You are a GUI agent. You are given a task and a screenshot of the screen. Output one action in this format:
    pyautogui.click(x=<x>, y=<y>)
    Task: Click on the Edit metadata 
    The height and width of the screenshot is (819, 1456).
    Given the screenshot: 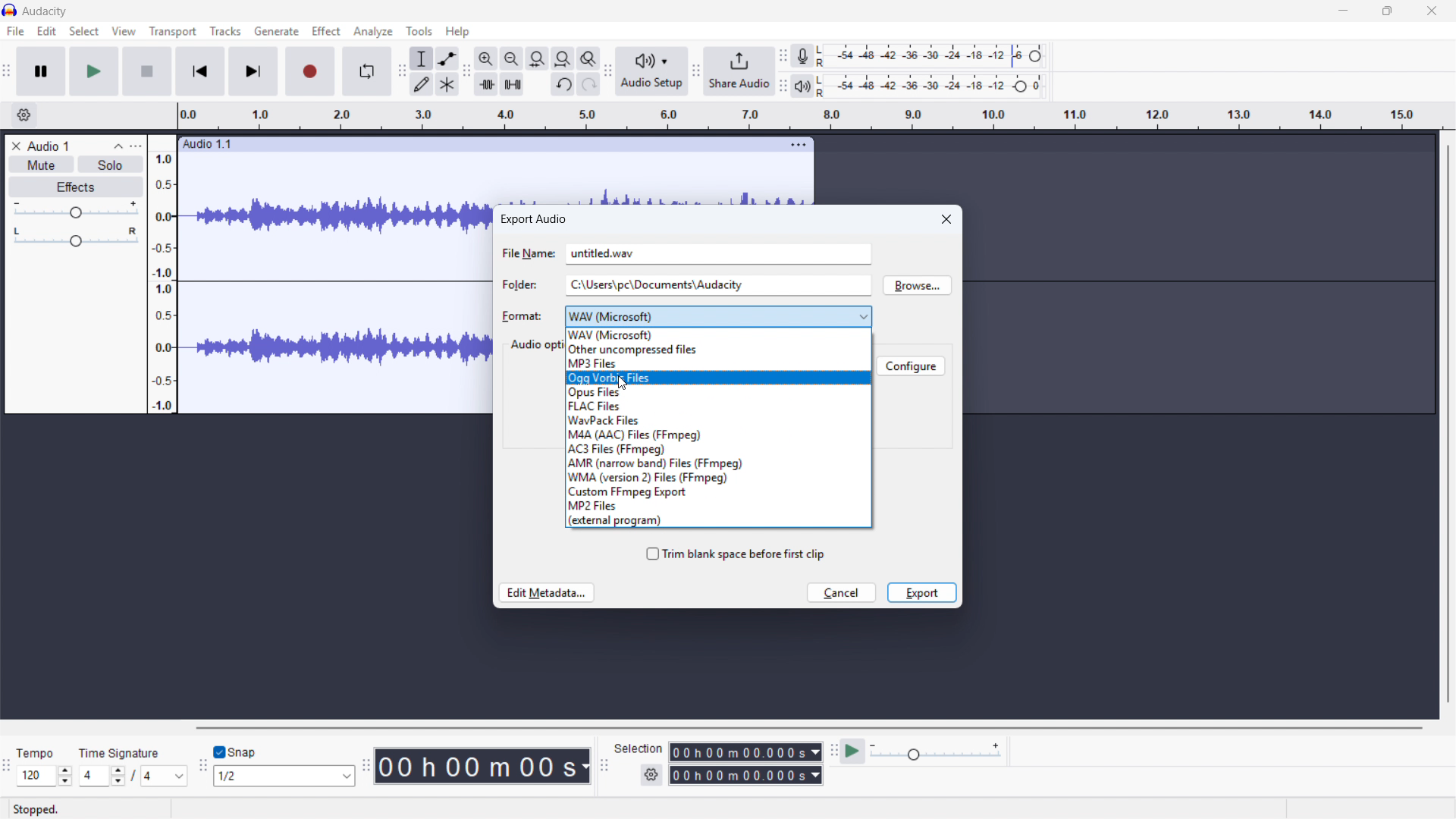 What is the action you would take?
    pyautogui.click(x=548, y=592)
    